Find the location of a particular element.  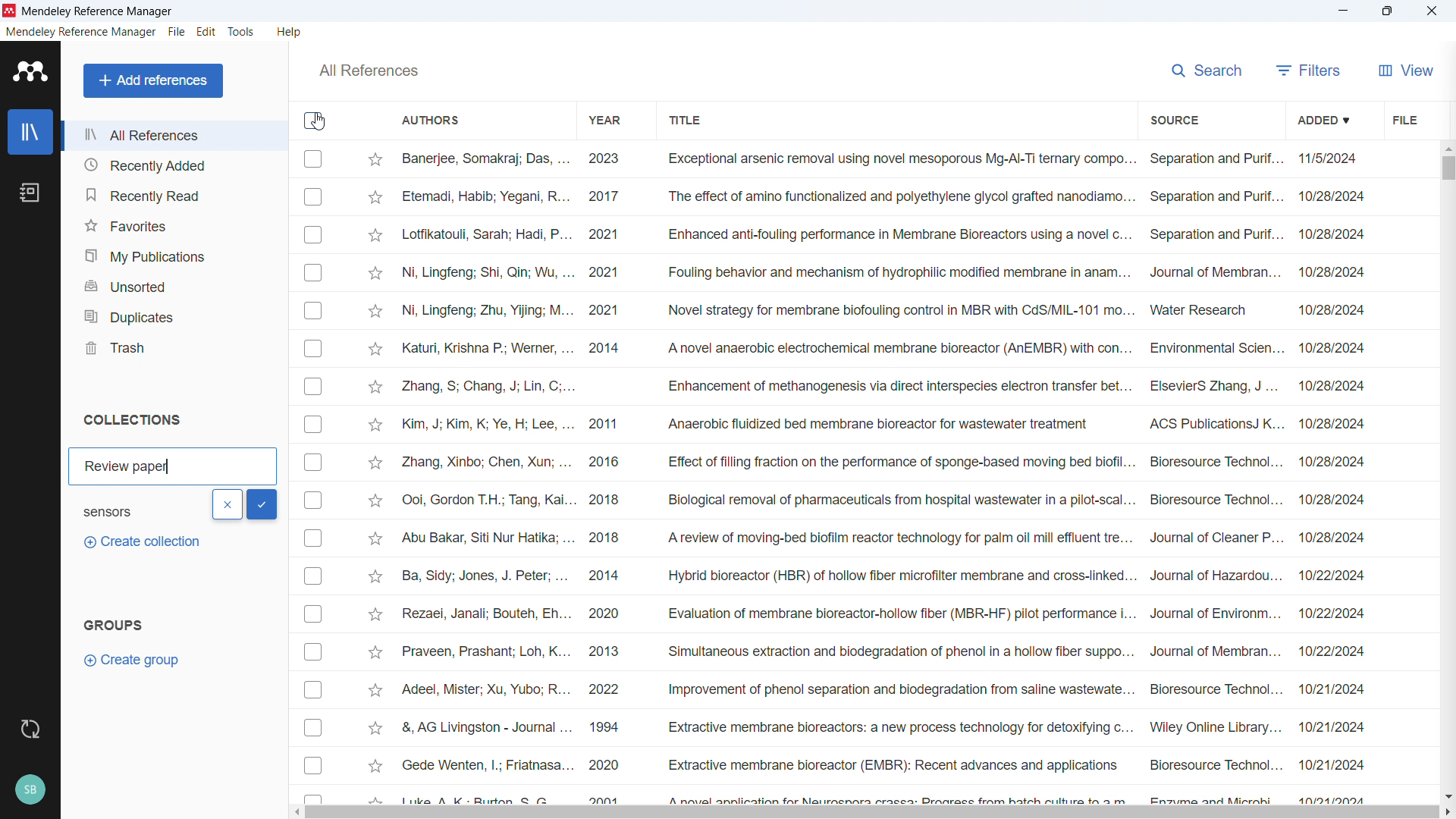

sensors is located at coordinates (122, 510).